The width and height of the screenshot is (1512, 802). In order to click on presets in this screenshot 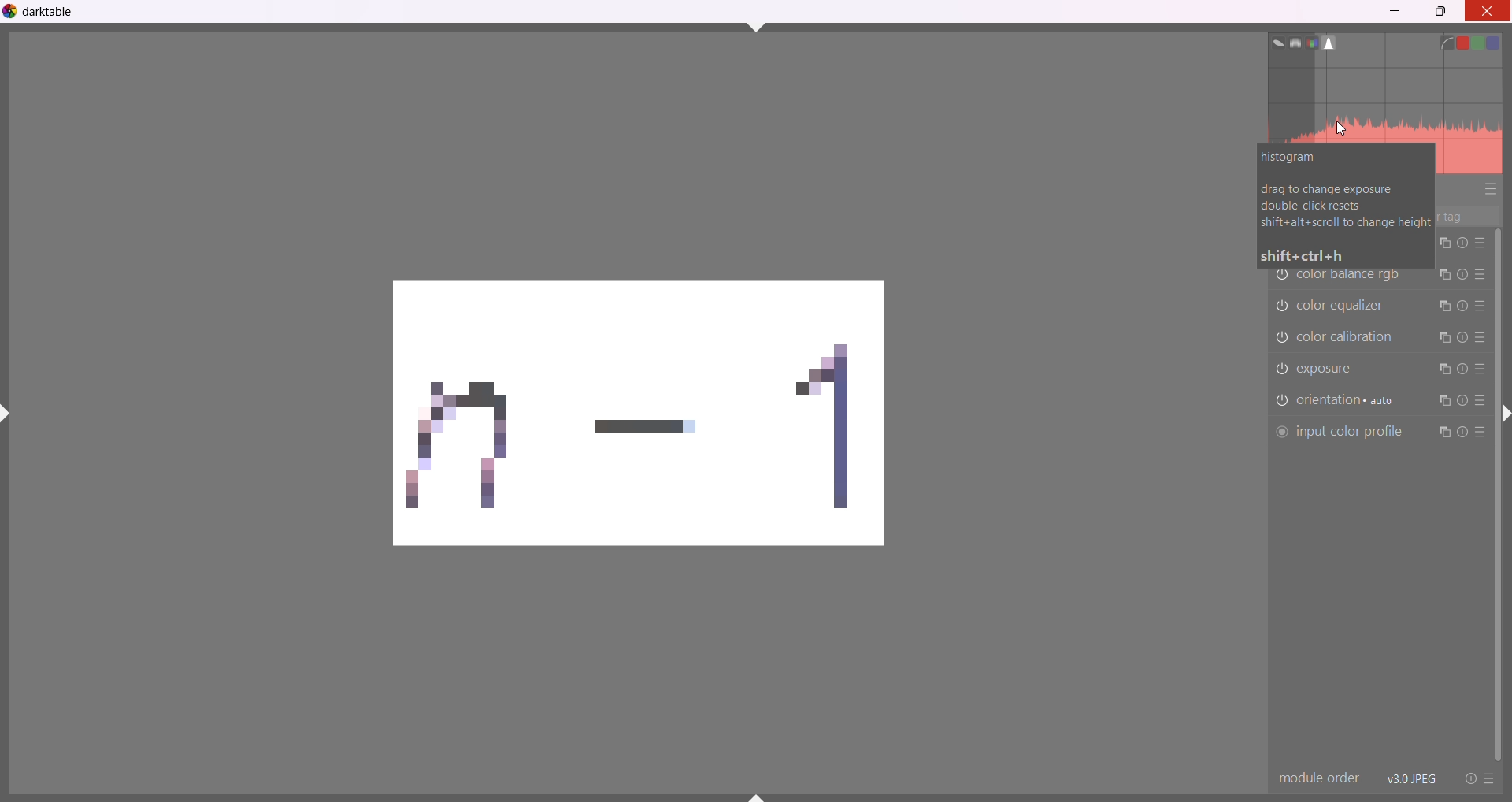, I will do `click(1480, 243)`.